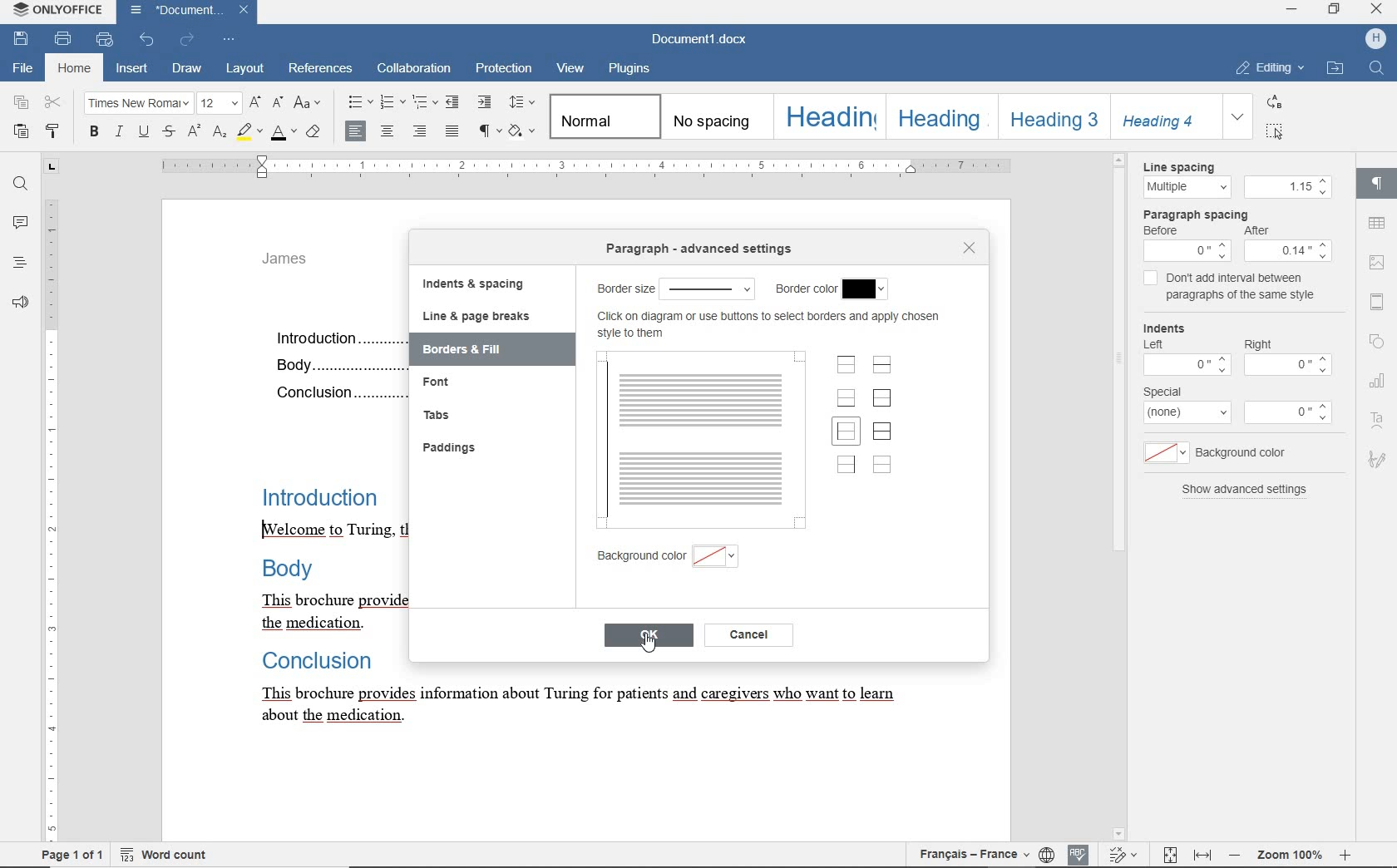  I want to click on home, so click(74, 71).